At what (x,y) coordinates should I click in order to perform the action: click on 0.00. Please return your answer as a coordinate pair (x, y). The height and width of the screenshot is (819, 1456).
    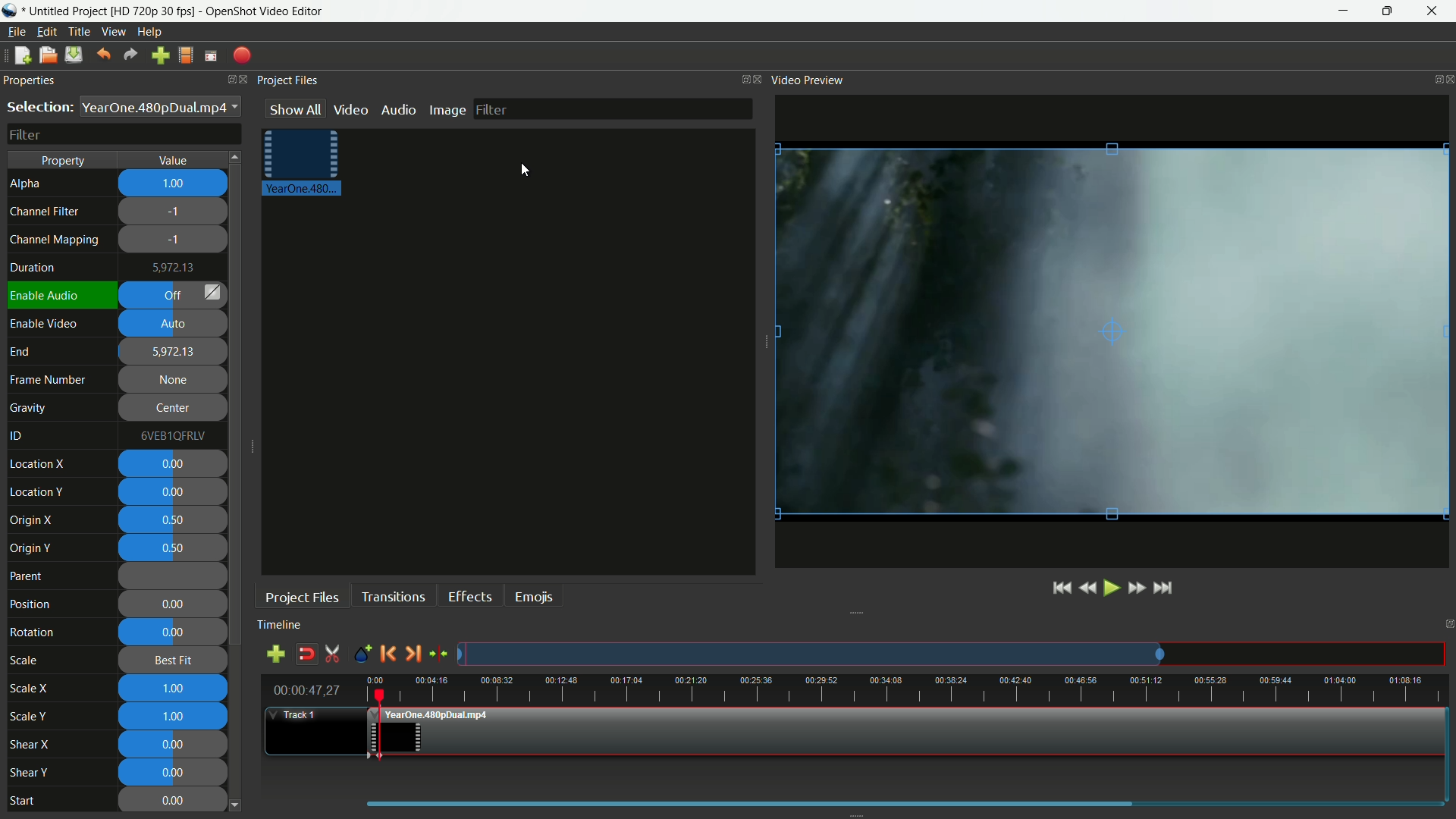
    Looking at the image, I should click on (171, 465).